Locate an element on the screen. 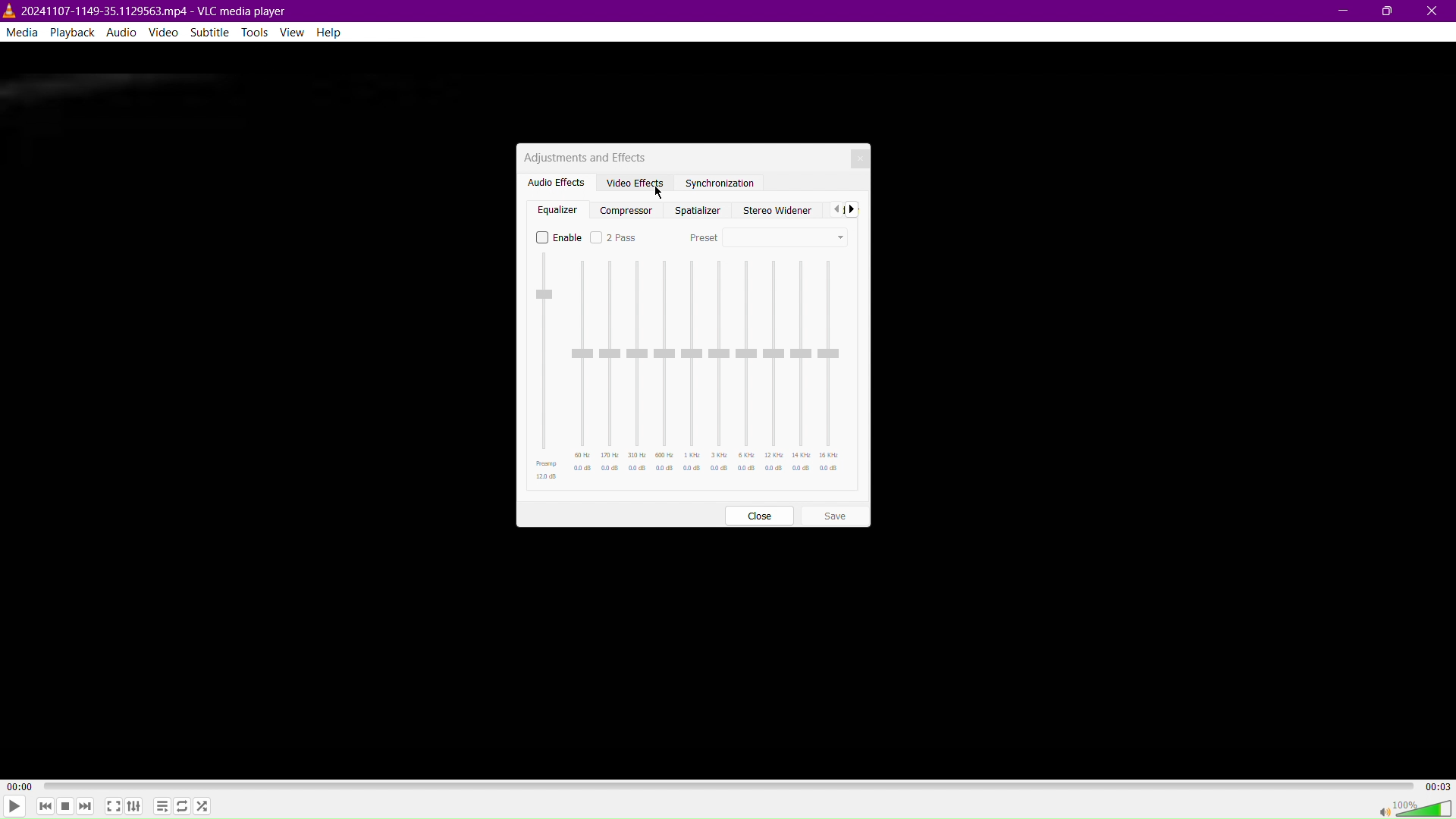  Equalizer is located at coordinates (559, 207).